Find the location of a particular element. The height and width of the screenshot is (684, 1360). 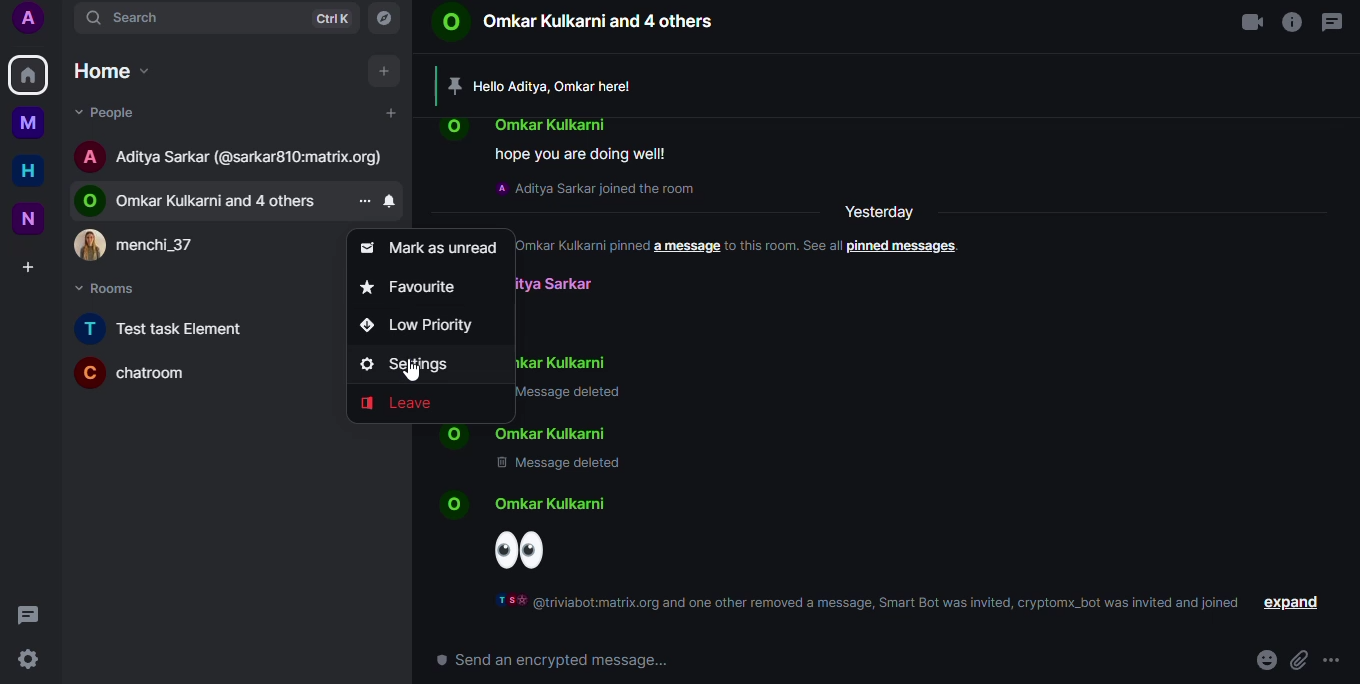

message deleted is located at coordinates (563, 393).